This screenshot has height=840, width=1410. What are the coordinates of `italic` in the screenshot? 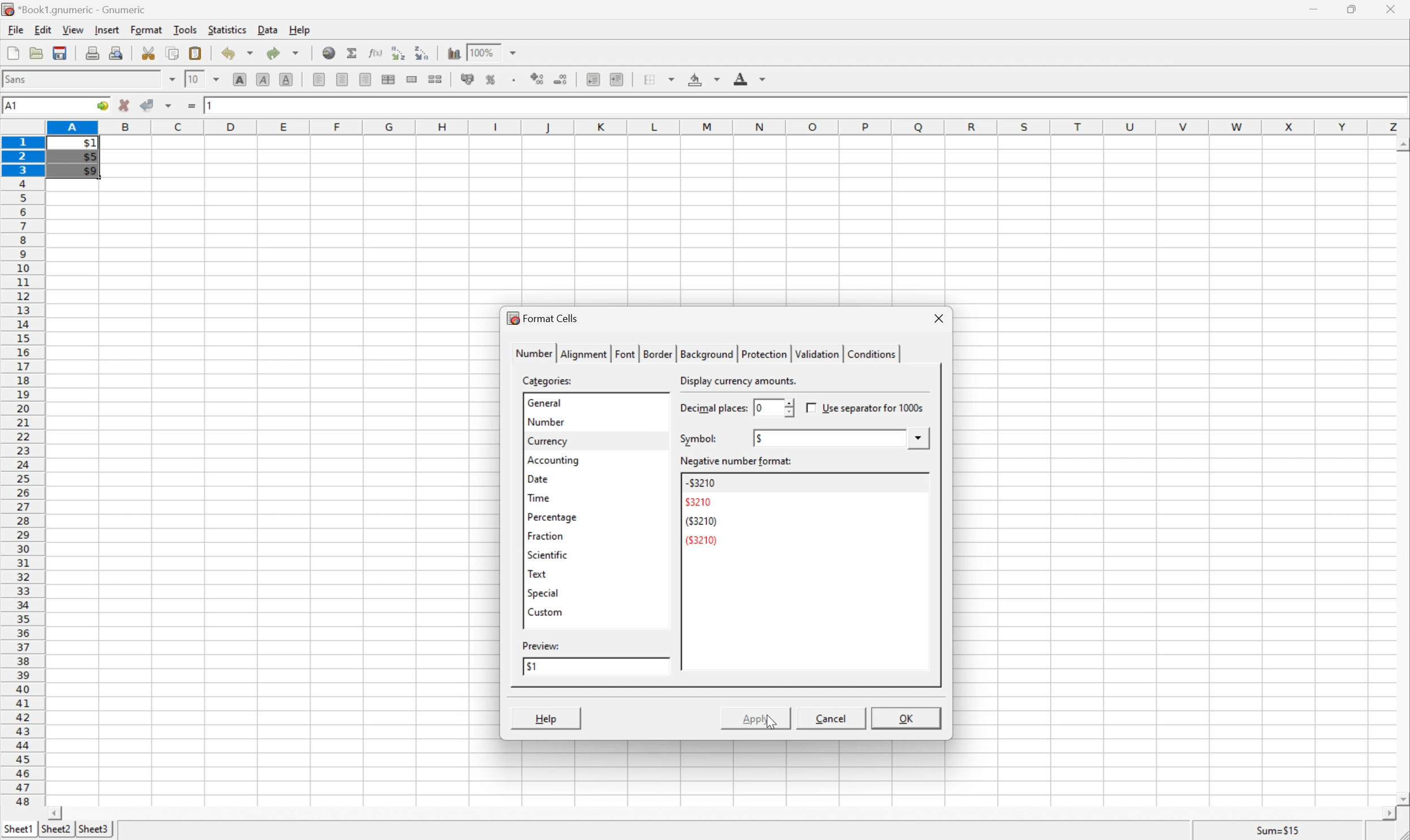 It's located at (264, 78).